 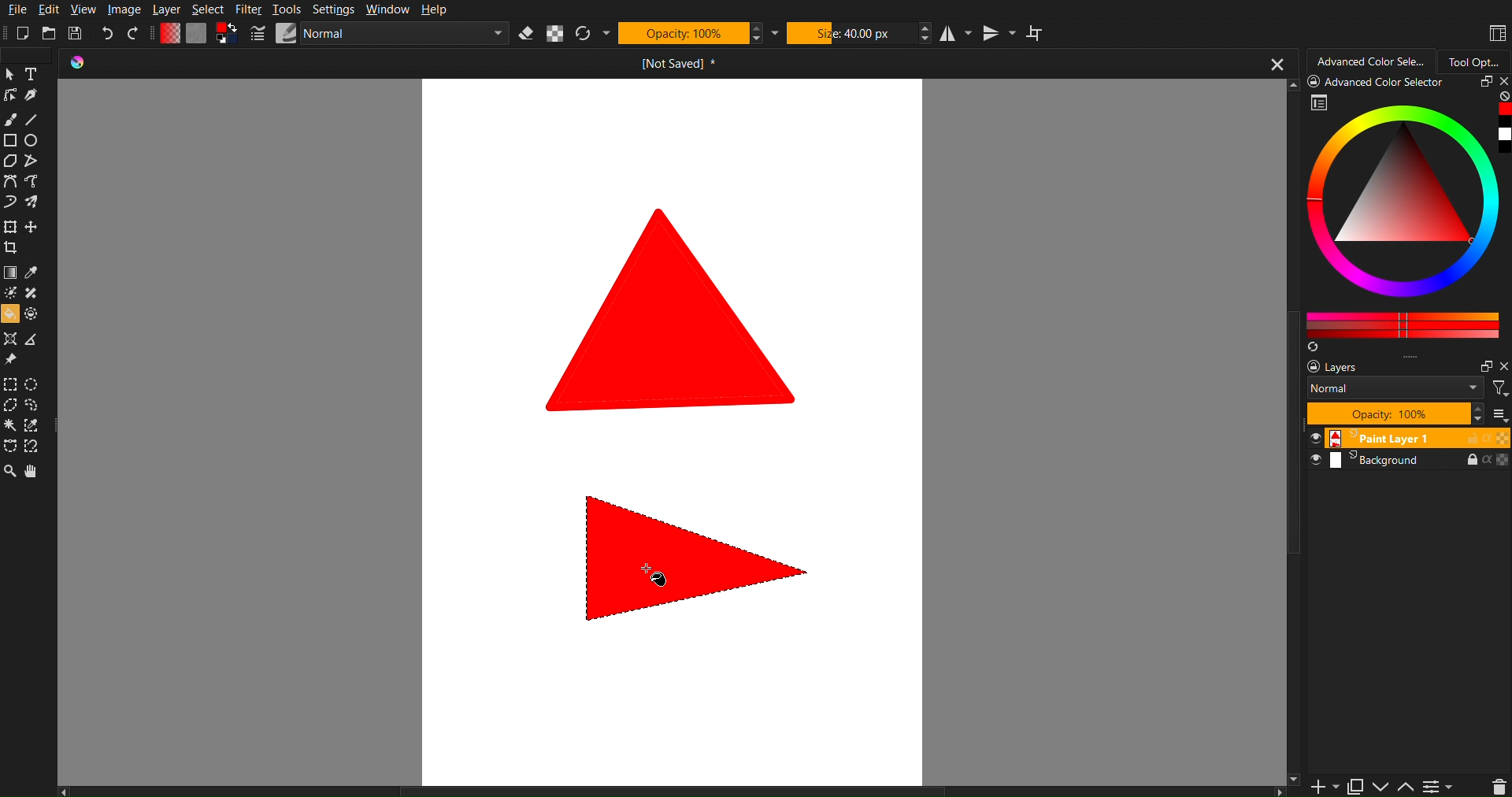 I want to click on Picker, so click(x=9, y=183).